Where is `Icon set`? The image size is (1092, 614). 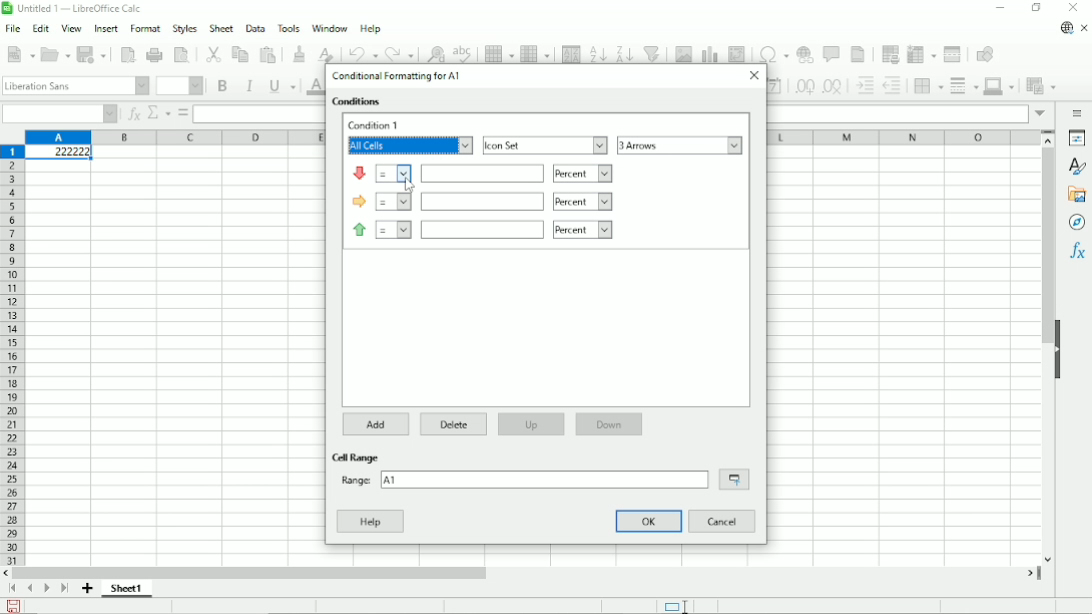 Icon set is located at coordinates (545, 145).